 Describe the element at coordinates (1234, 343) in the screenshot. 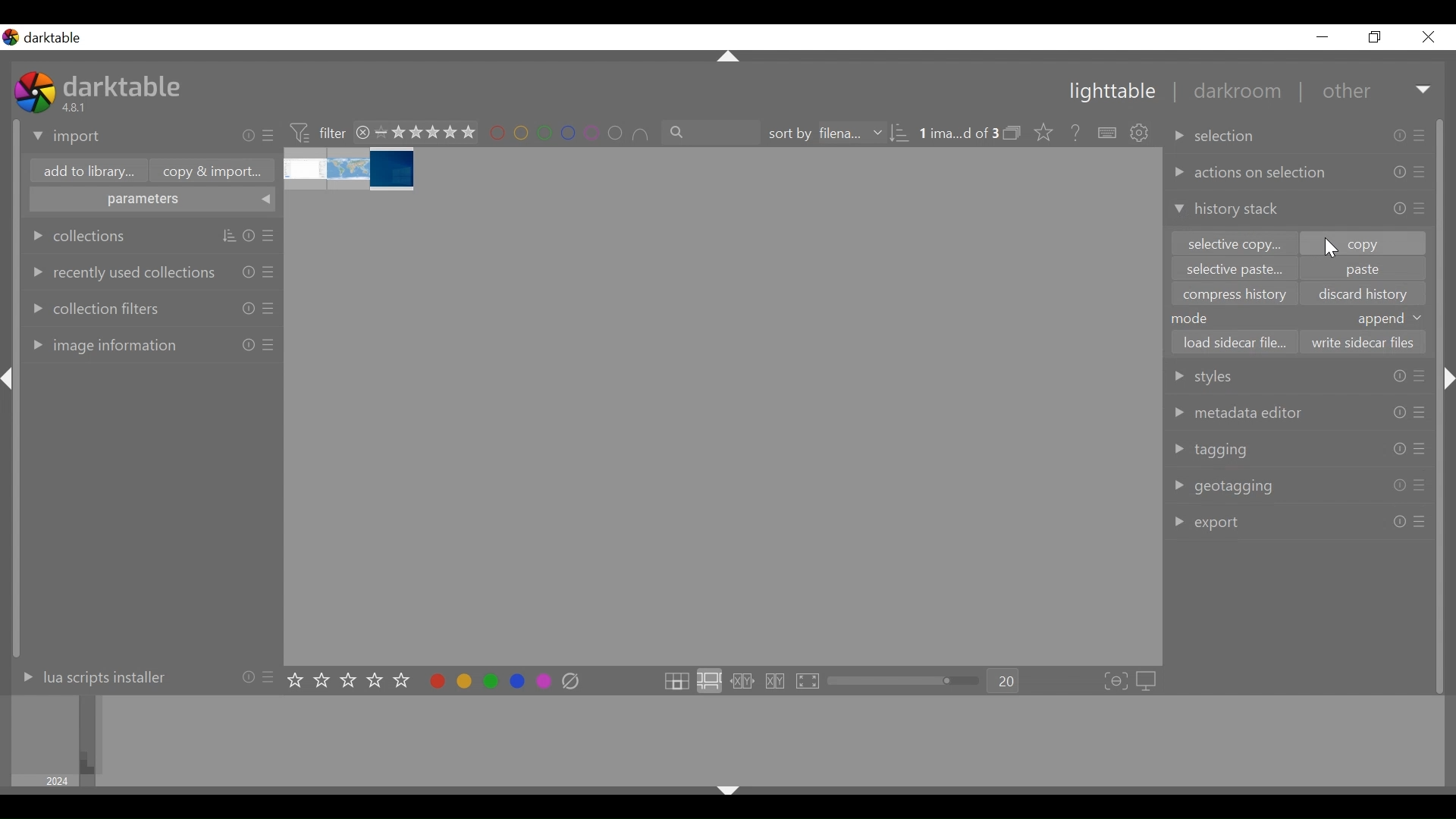

I see `load sidebar file` at that location.